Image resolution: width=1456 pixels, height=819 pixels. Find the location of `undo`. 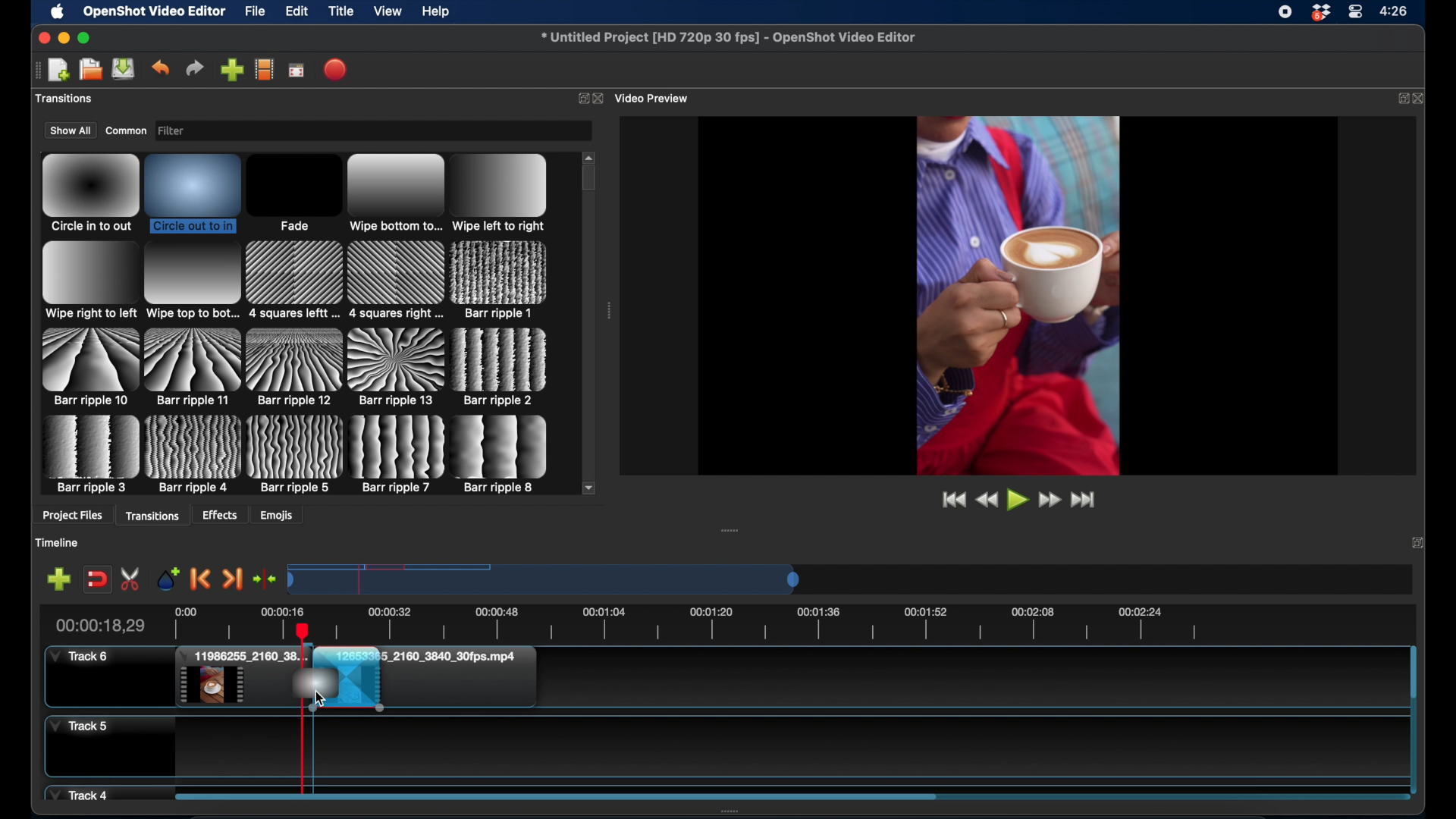

undo is located at coordinates (162, 67).